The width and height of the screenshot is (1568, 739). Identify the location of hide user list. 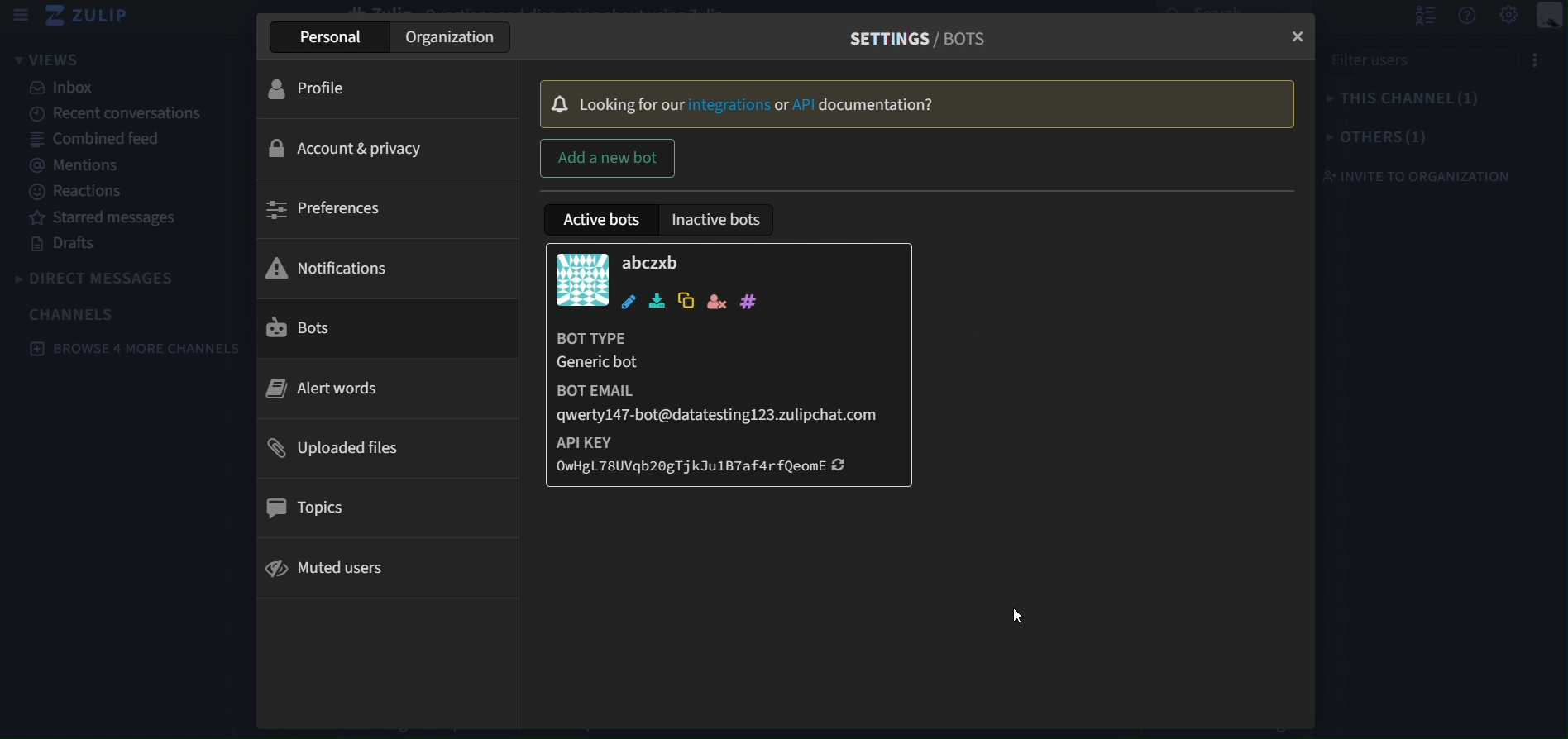
(1423, 16).